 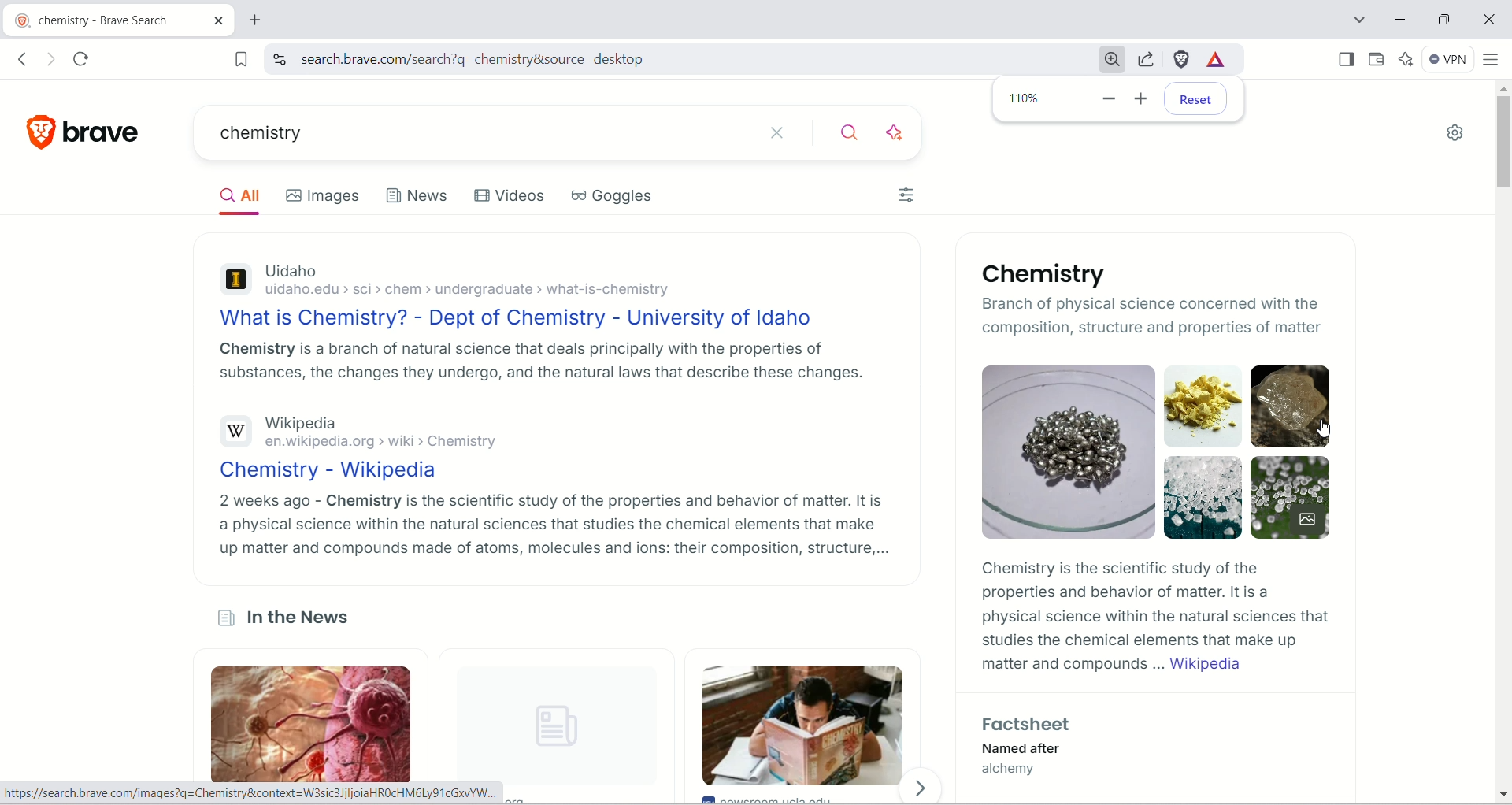 What do you see at coordinates (613, 196) in the screenshot?
I see `Goggles` at bounding box center [613, 196].